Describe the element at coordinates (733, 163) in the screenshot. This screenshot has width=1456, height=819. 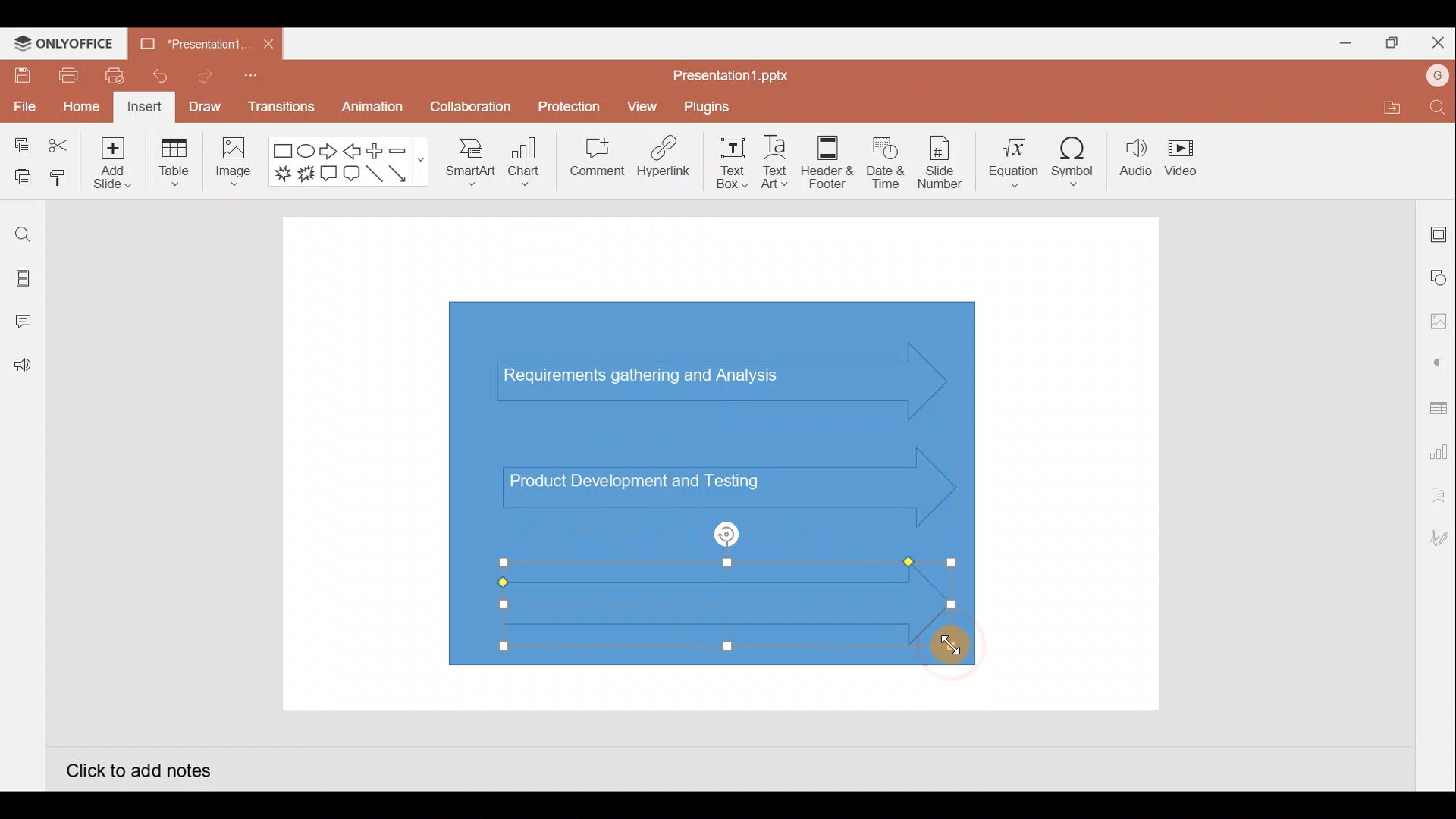
I see `Text box` at that location.